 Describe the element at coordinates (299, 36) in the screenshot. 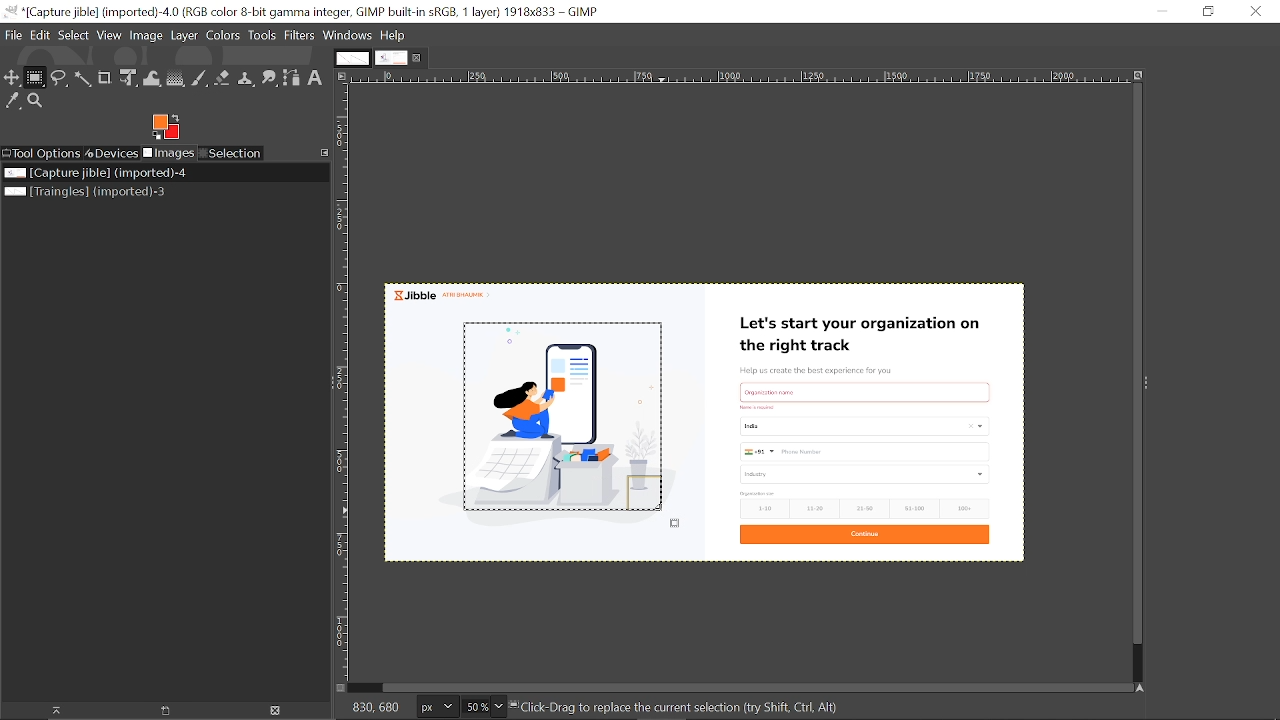

I see `Filters` at that location.